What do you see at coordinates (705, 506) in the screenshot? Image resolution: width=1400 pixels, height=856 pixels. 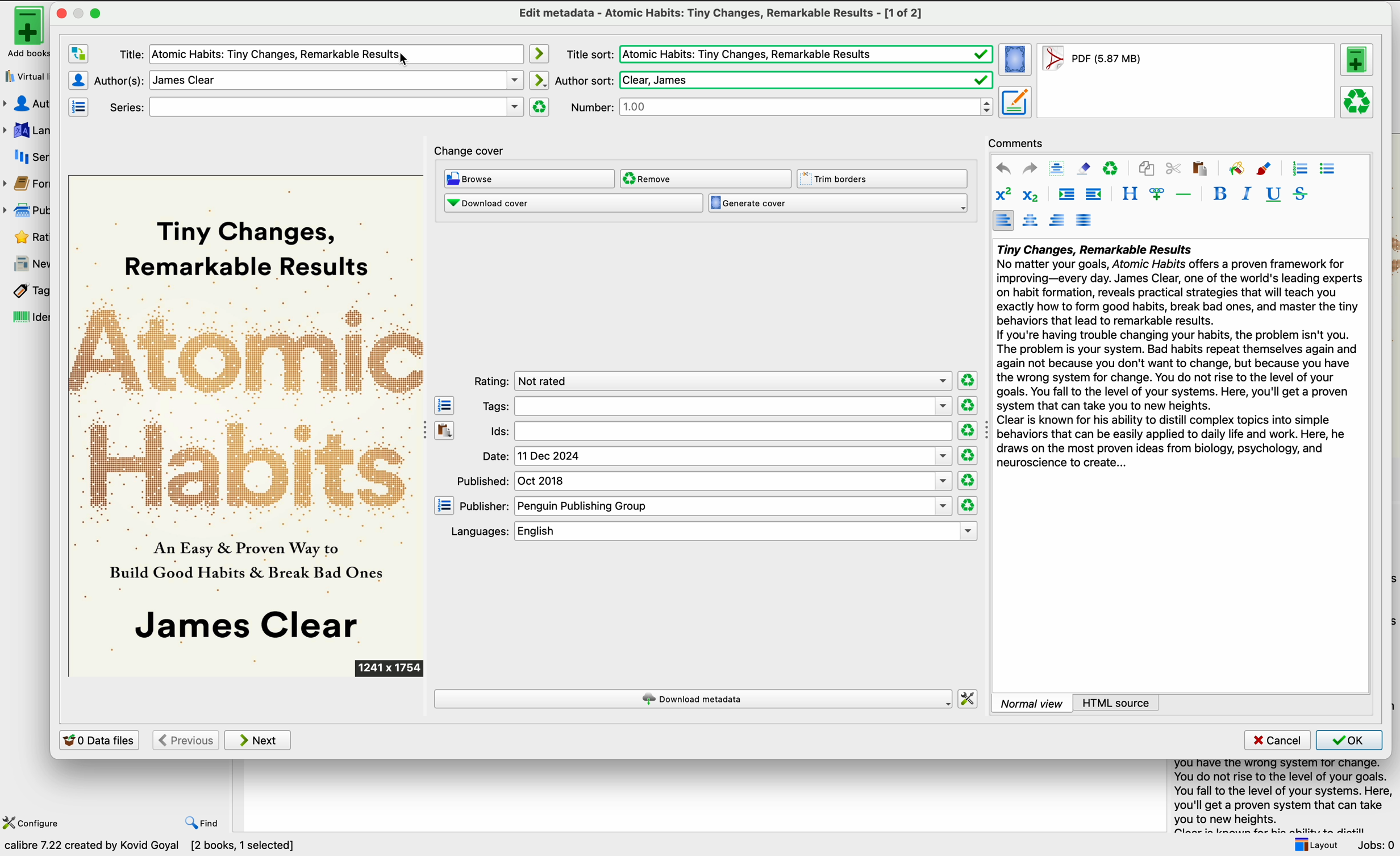 I see `publisher` at bounding box center [705, 506].